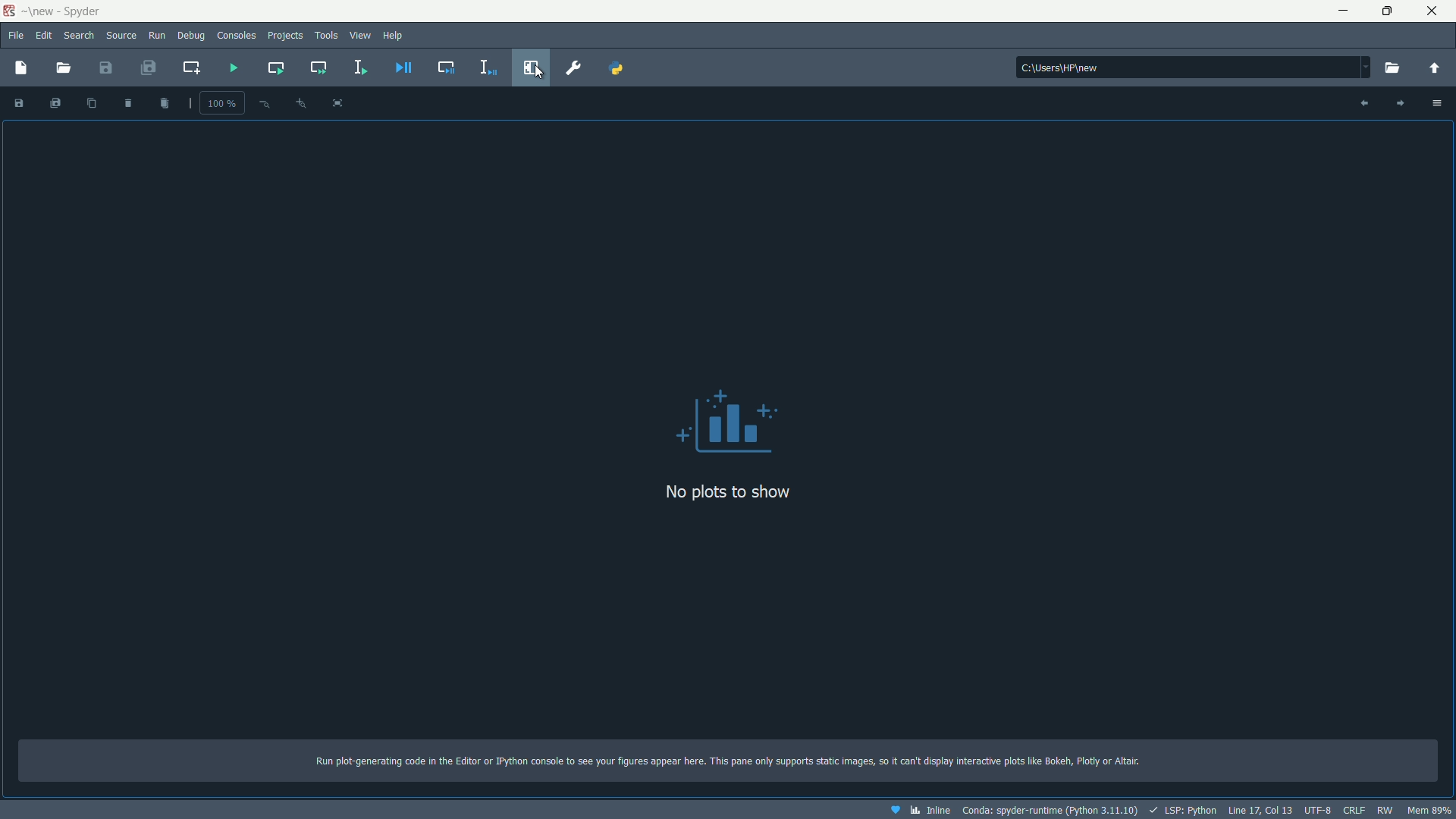 The image size is (1456, 819). Describe the element at coordinates (338, 102) in the screenshot. I see `fit plot to the pane size` at that location.